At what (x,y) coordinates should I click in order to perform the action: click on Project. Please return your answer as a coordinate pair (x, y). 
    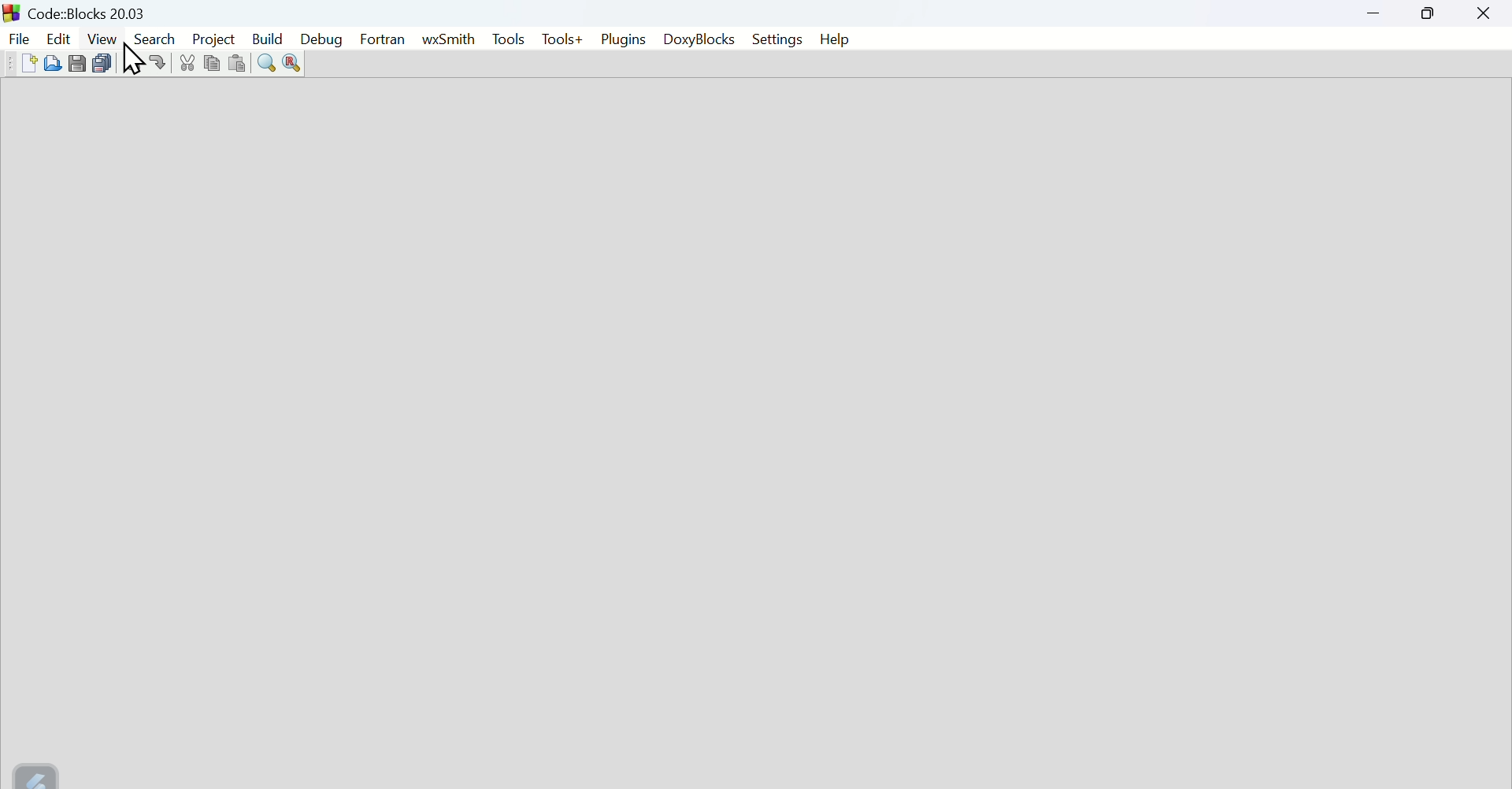
    Looking at the image, I should click on (213, 39).